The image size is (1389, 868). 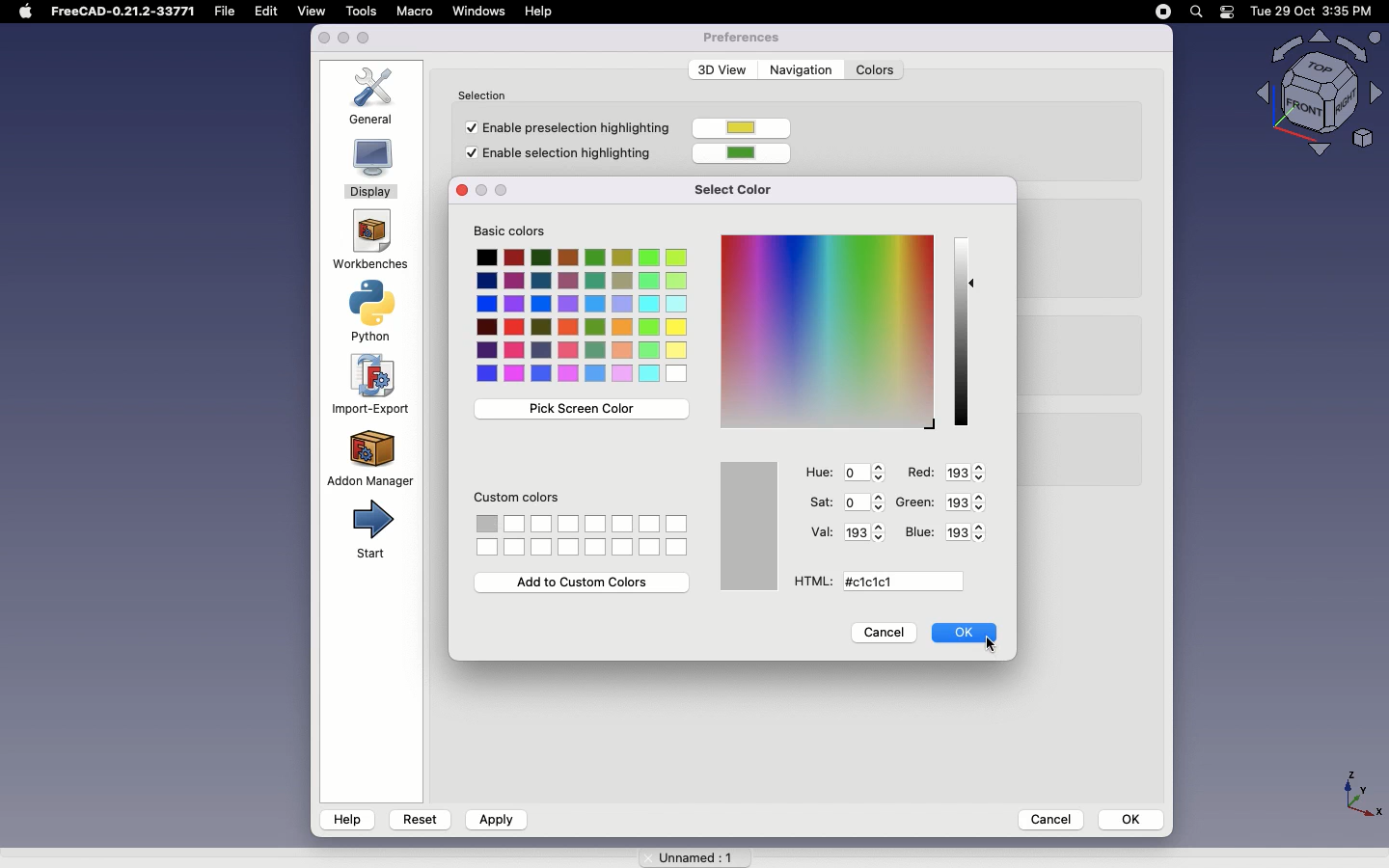 I want to click on Start, so click(x=369, y=530).